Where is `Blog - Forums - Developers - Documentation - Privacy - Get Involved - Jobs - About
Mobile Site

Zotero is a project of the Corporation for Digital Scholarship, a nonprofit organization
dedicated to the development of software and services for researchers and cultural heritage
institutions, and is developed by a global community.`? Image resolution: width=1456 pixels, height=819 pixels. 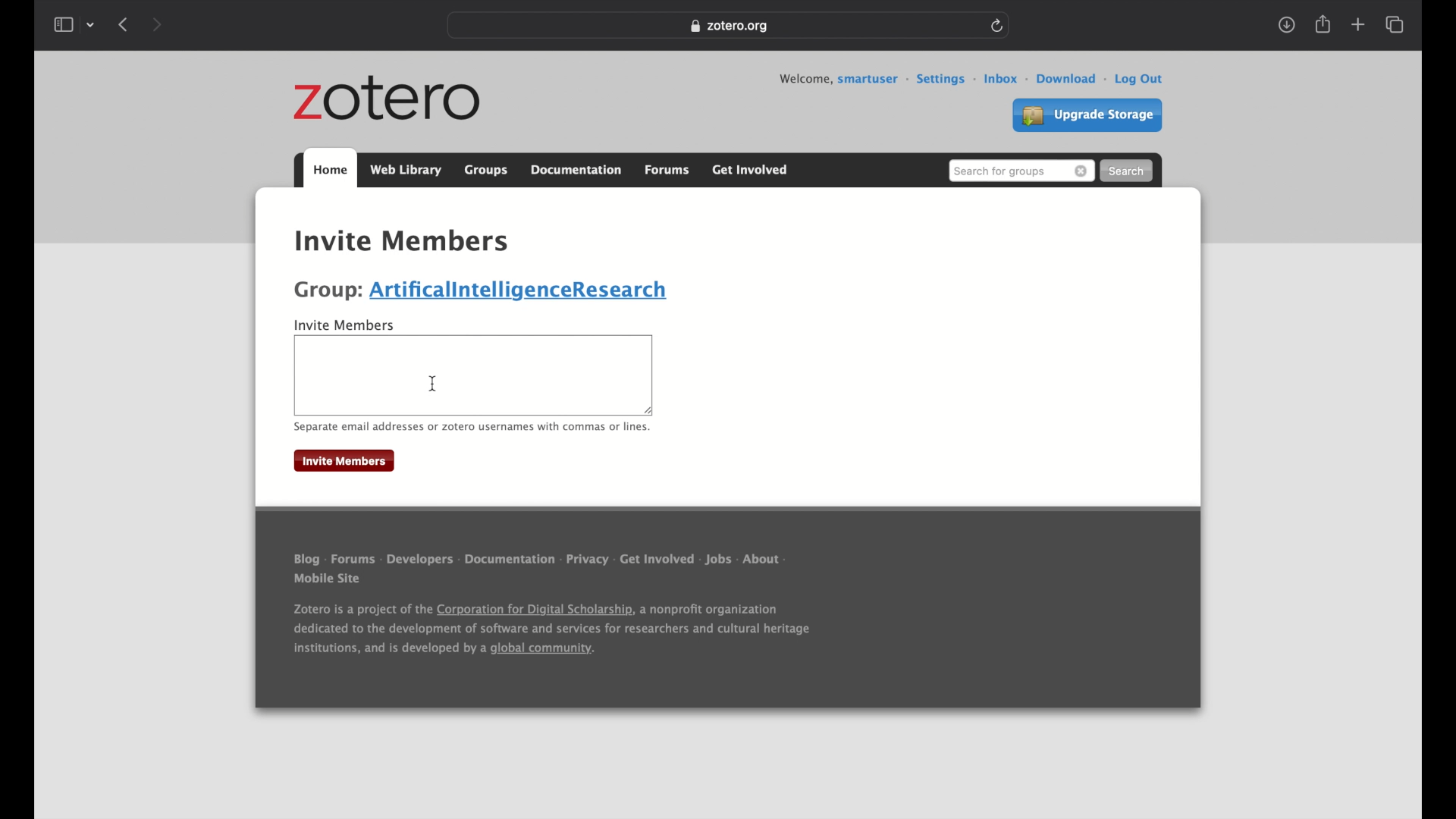
Blog - Forums - Developers - Documentation - Privacy - Get Involved - Jobs - About
Mobile Site

Zotero is a project of the Corporation for Digital Scholarship, a nonprofit organization
dedicated to the development of software and services for researchers and cultural heritage
institutions, and is developed by a global community. is located at coordinates (570, 613).